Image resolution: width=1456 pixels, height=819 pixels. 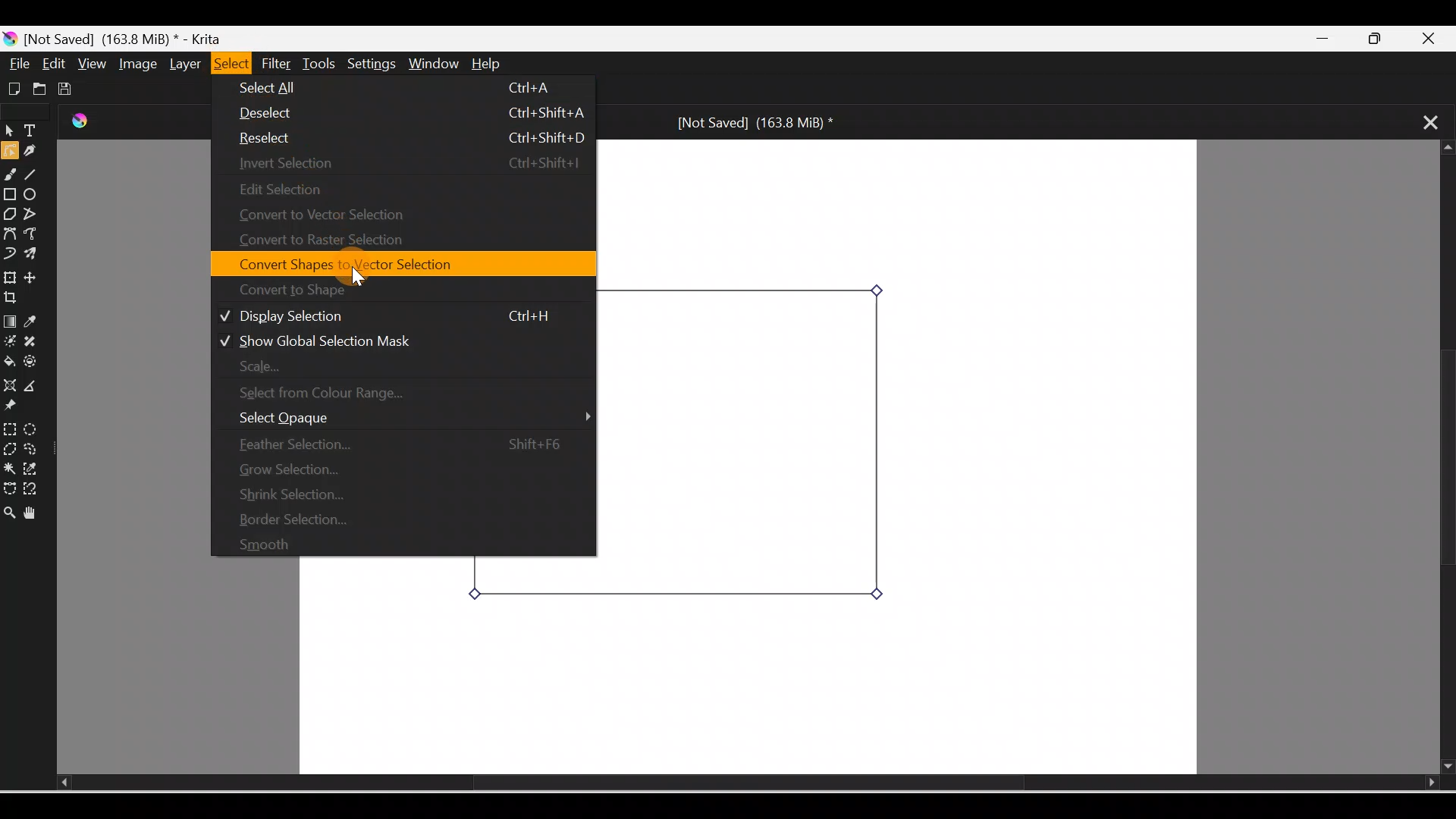 I want to click on Minimize, so click(x=1326, y=39).